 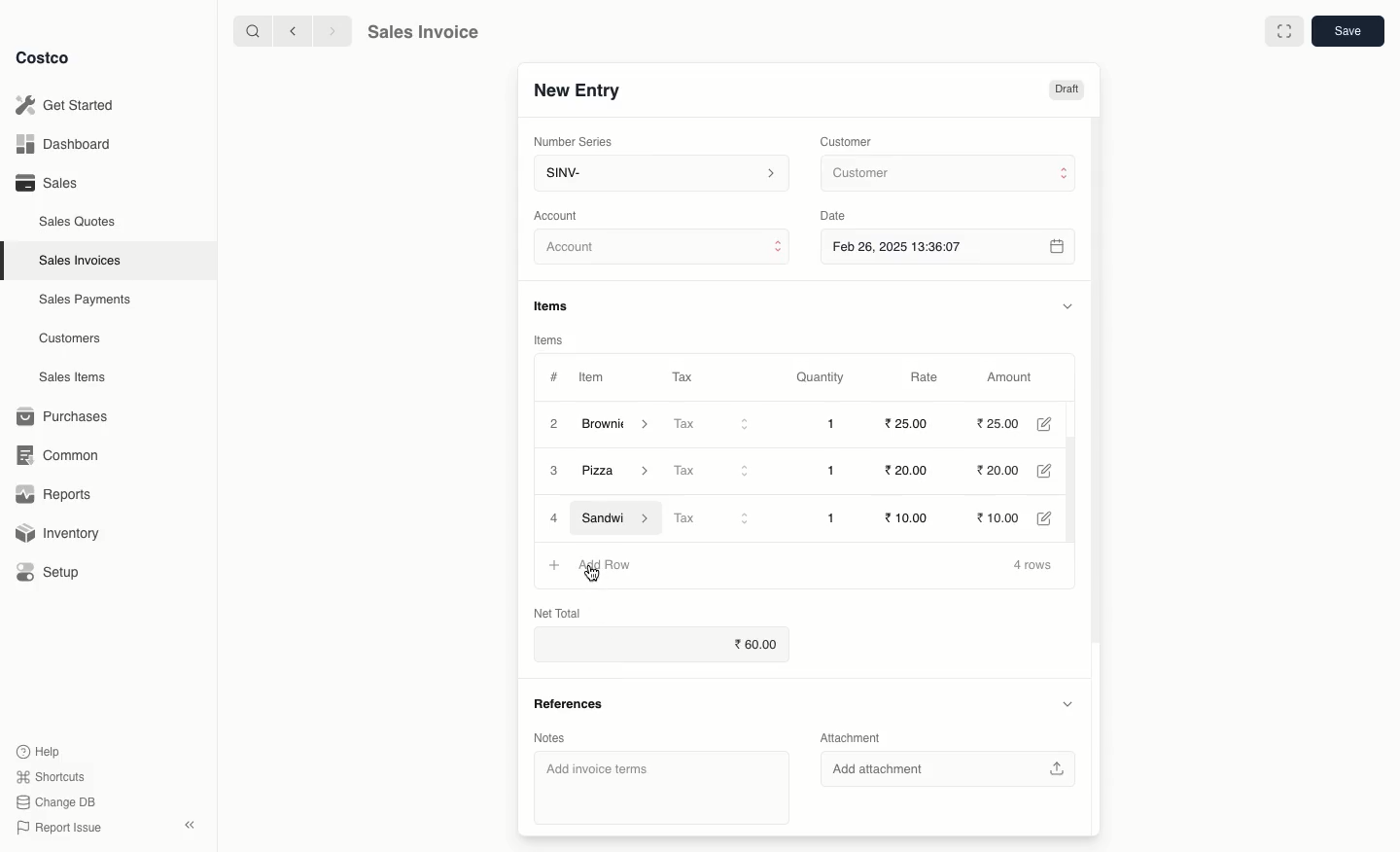 I want to click on Edit, so click(x=1053, y=517).